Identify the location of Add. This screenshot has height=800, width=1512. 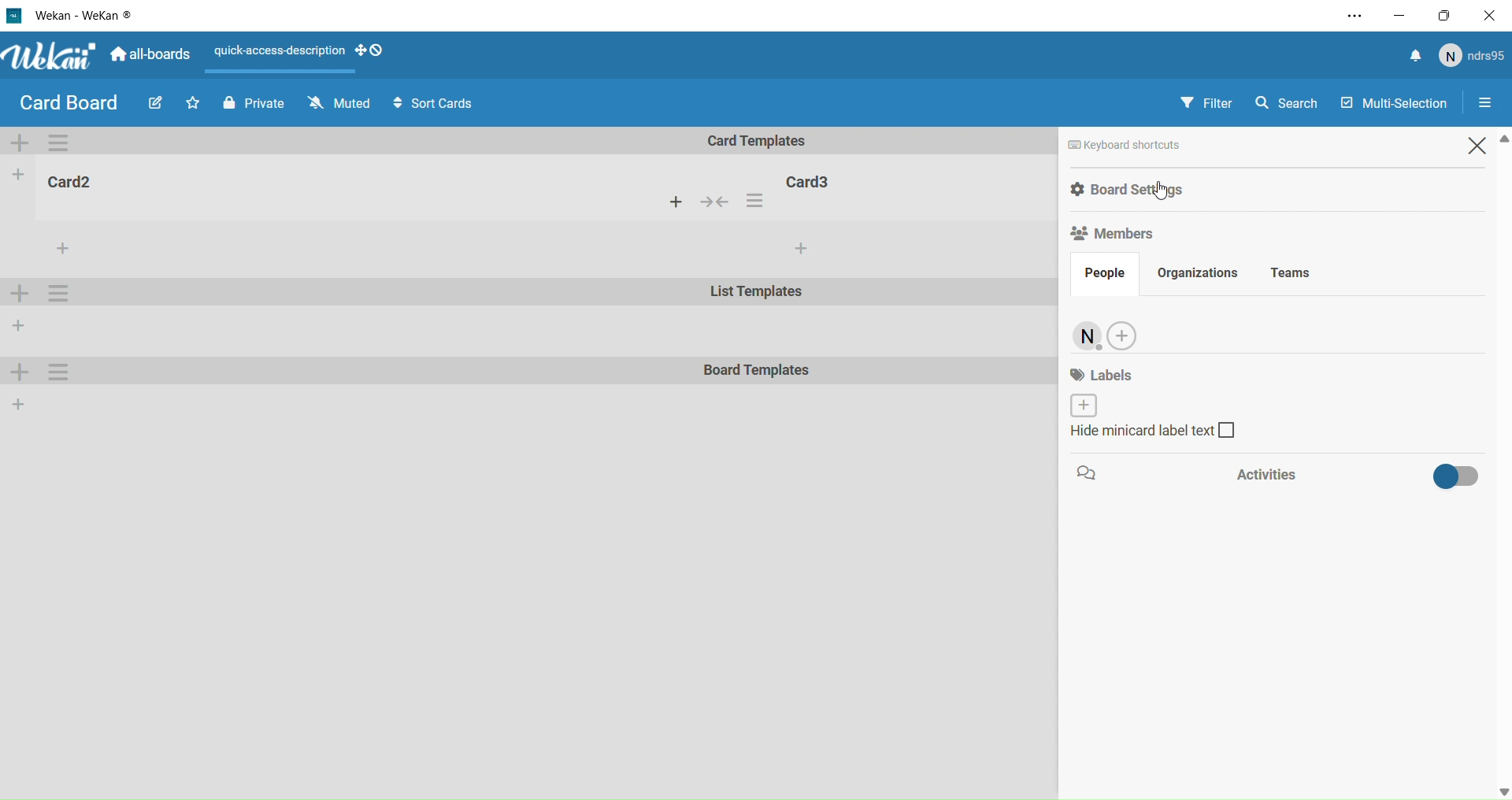
(20, 403).